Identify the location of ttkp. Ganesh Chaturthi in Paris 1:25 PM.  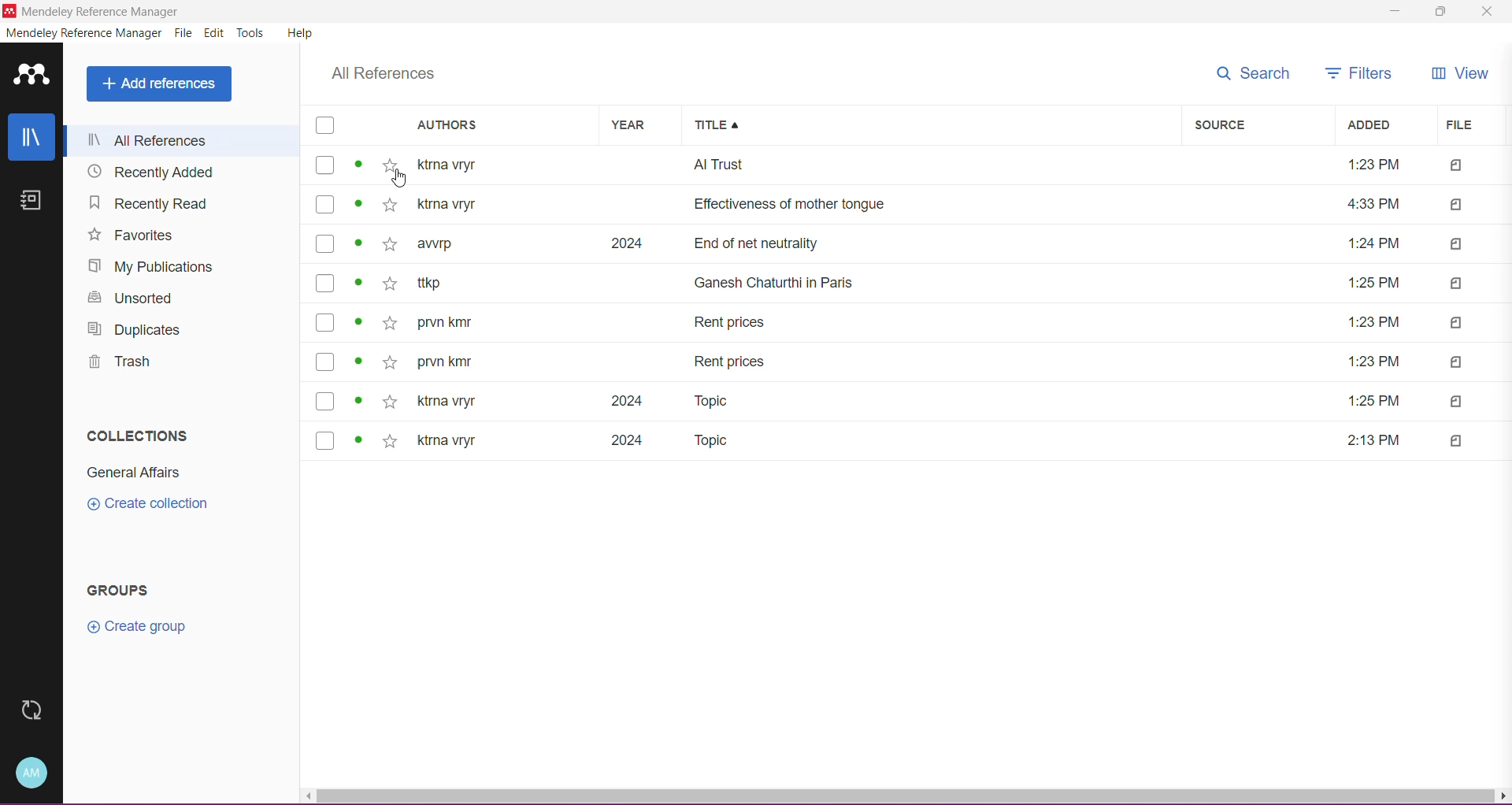
(911, 283).